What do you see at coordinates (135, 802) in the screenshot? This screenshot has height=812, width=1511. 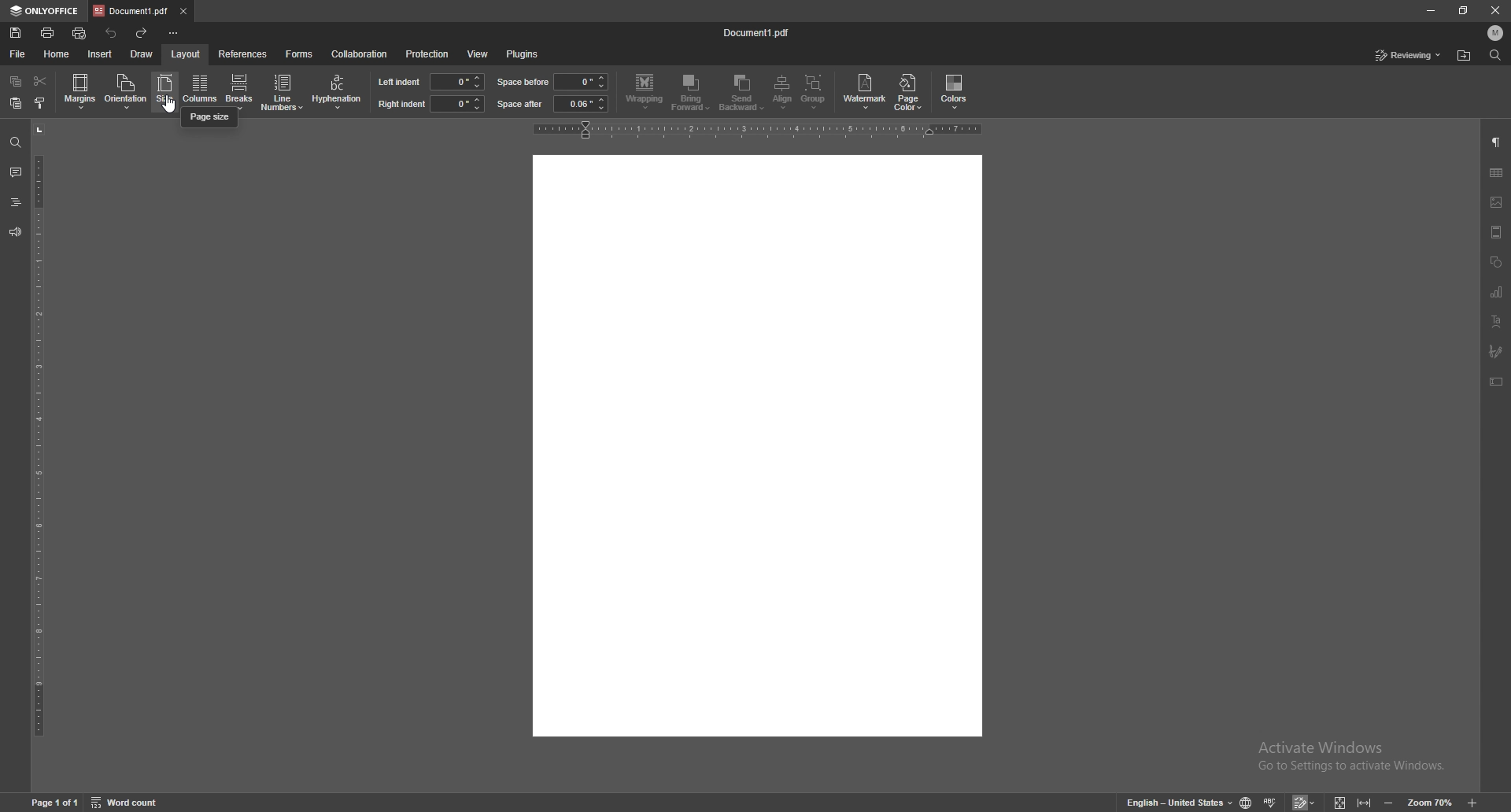 I see `Word count` at bounding box center [135, 802].